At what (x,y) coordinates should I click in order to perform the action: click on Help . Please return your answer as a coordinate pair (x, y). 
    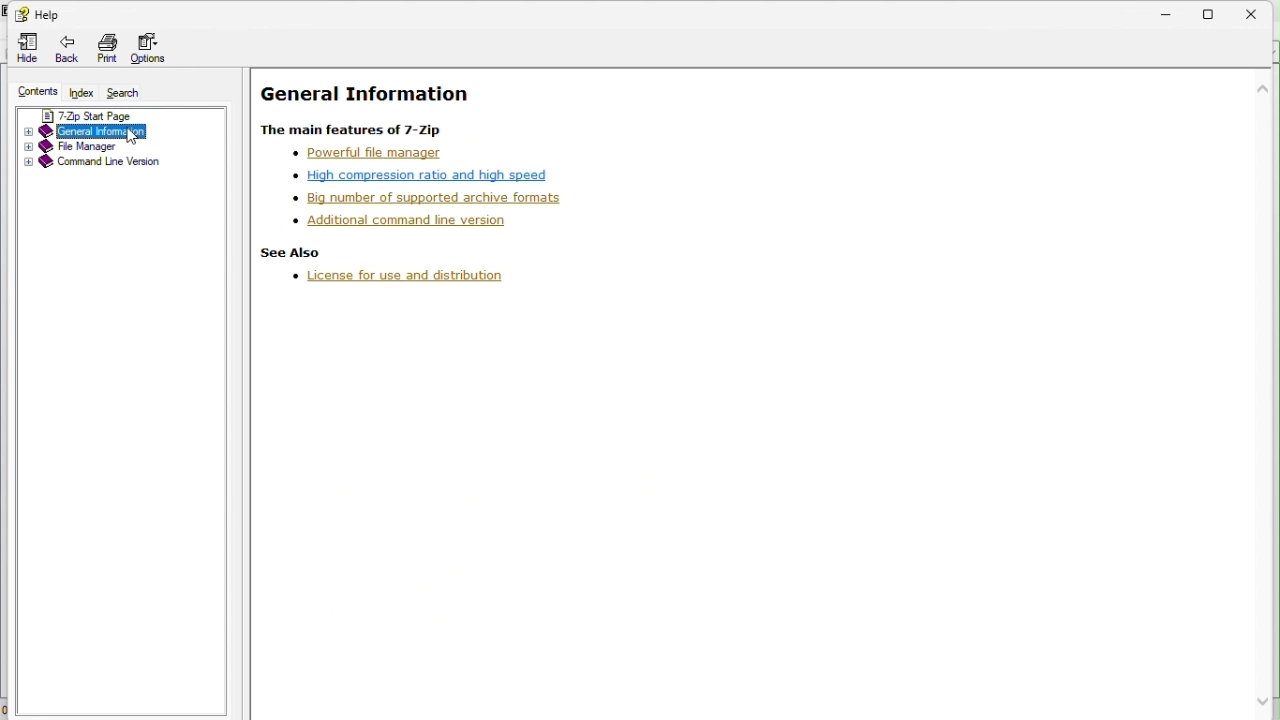
    Looking at the image, I should click on (43, 12).